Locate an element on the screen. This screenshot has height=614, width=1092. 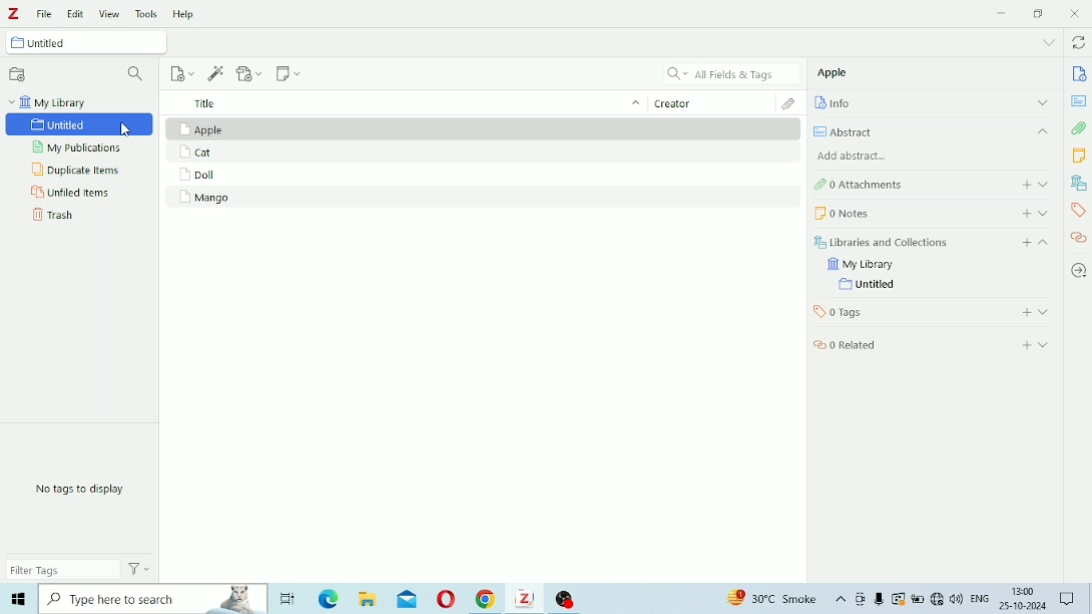
Info is located at coordinates (931, 103).